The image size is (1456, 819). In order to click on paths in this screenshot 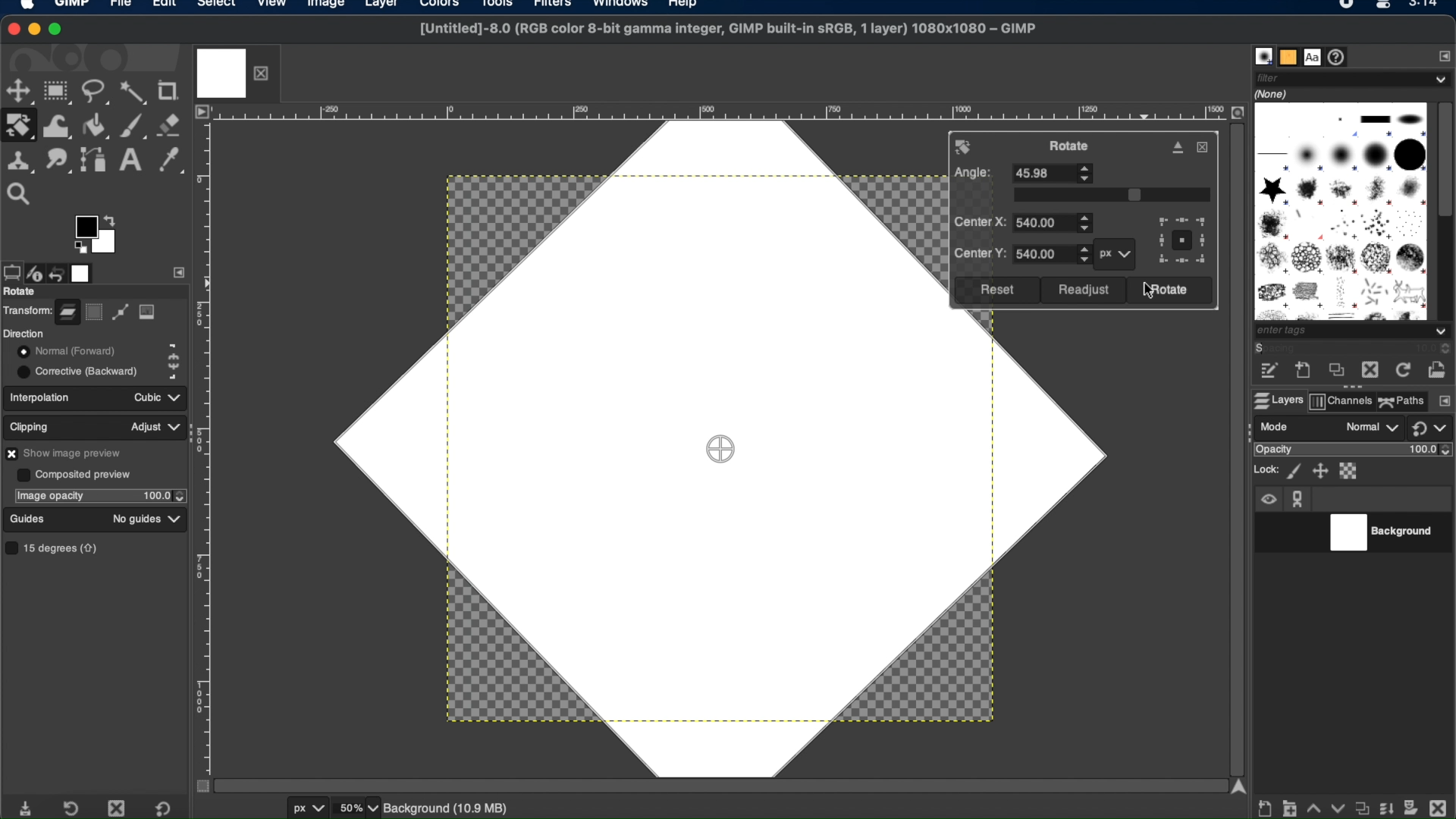, I will do `click(1402, 400)`.